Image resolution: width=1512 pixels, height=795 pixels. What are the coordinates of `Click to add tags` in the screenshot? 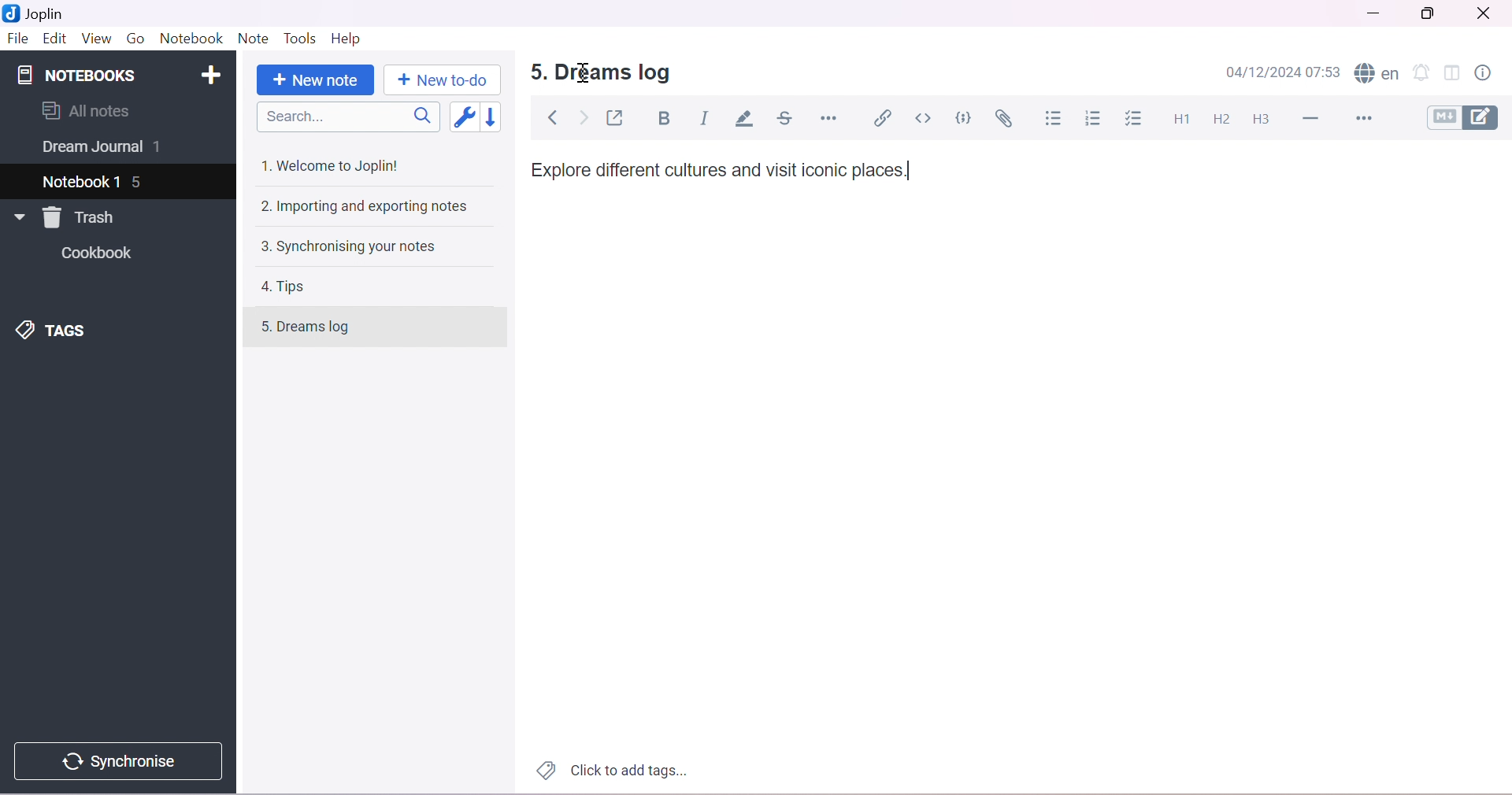 It's located at (609, 771).